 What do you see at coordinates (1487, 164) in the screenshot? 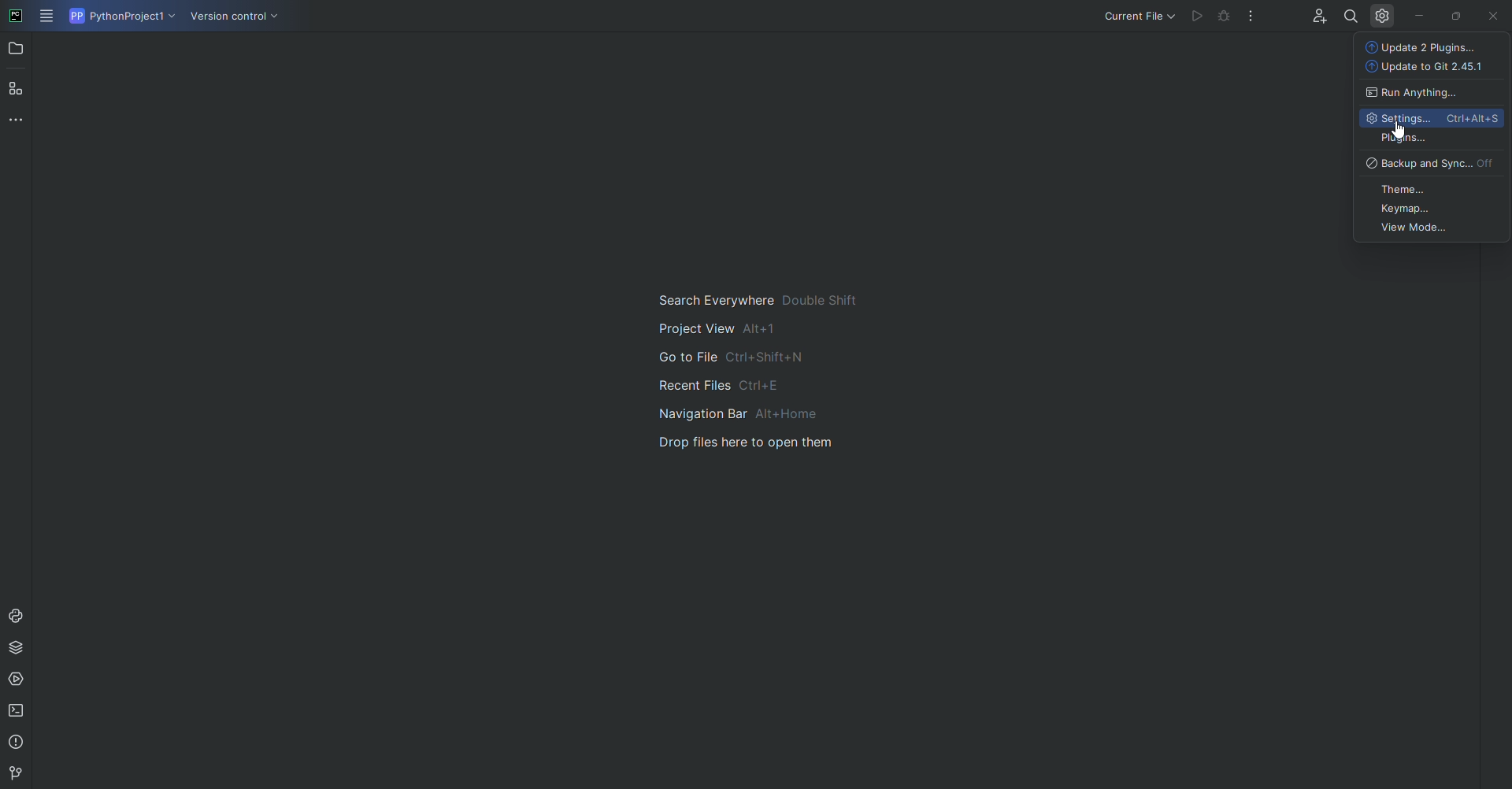
I see `off` at bounding box center [1487, 164].